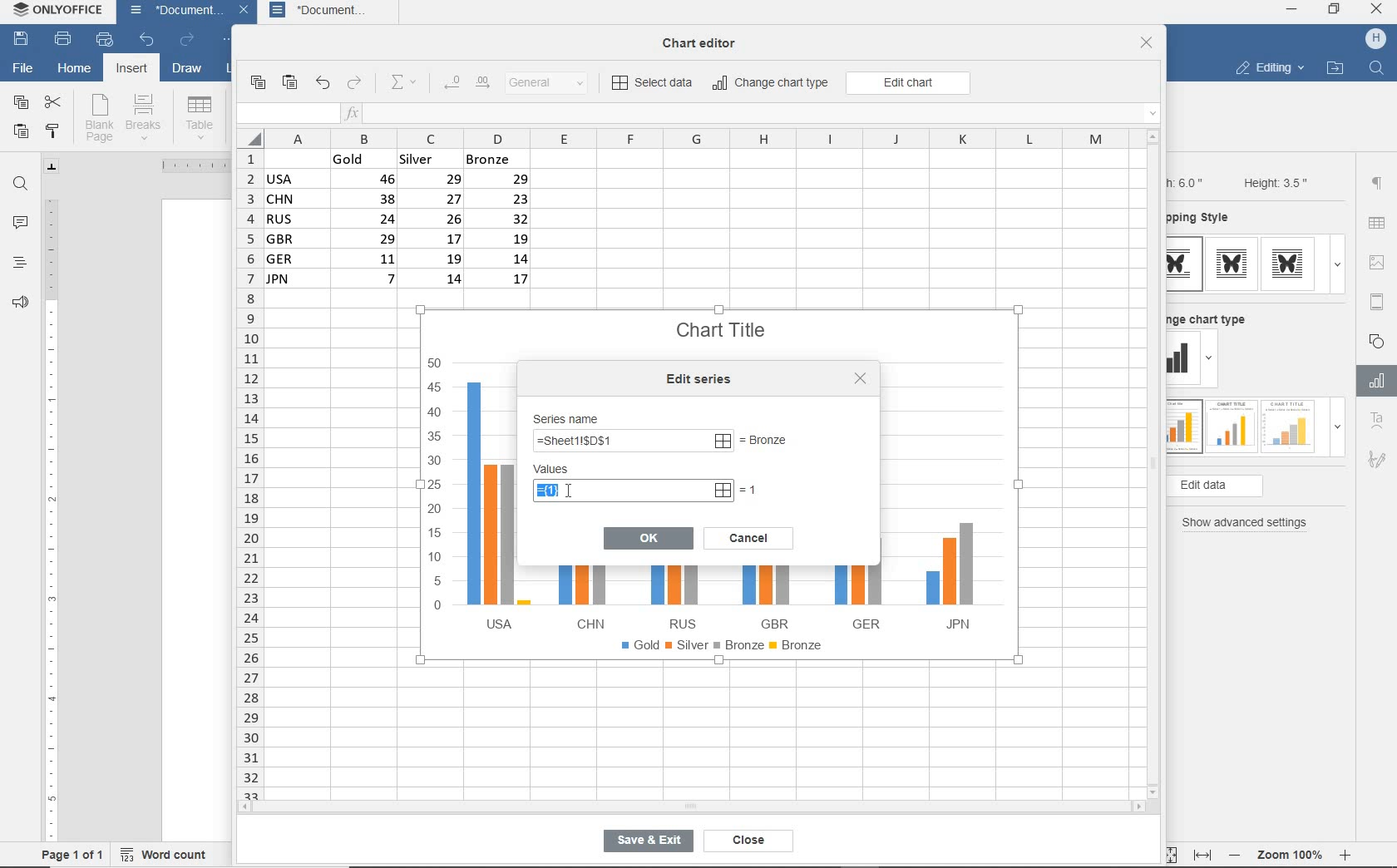  What do you see at coordinates (1346, 852) in the screenshot?
I see `zoom in` at bounding box center [1346, 852].